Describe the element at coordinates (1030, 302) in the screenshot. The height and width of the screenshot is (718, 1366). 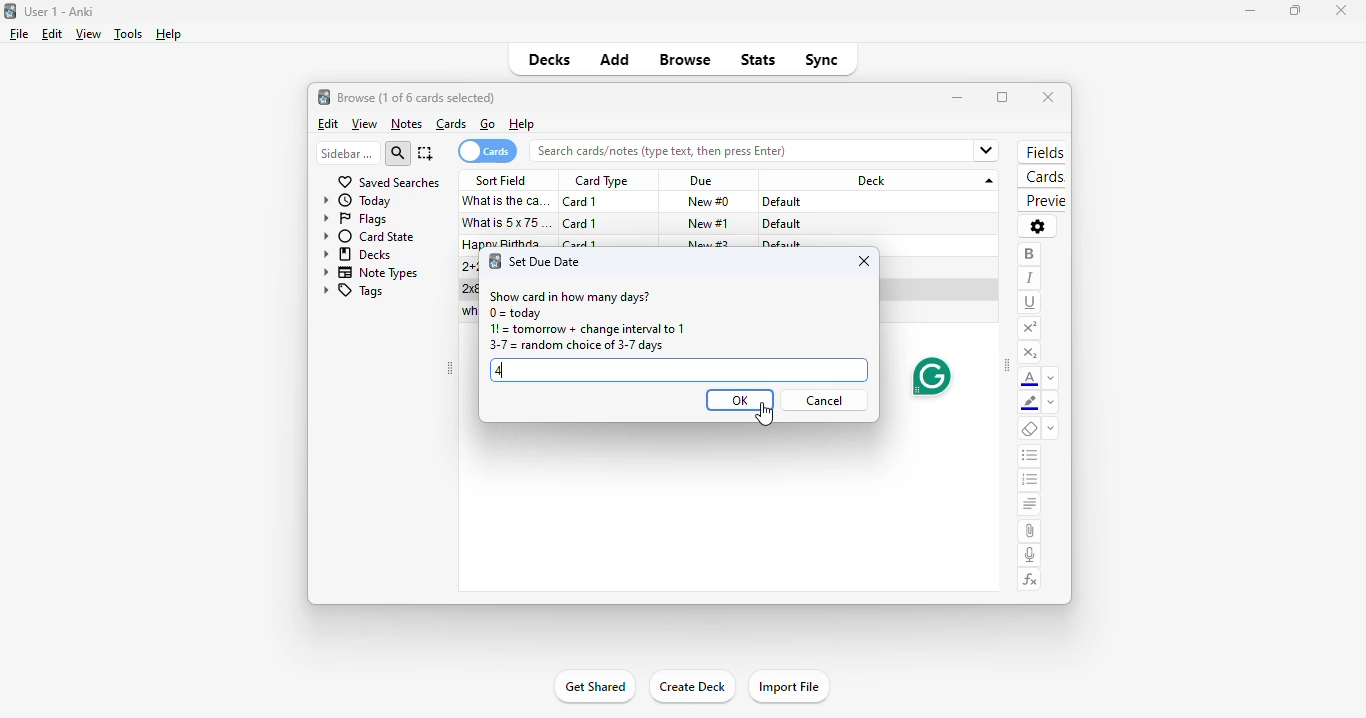
I see `underline` at that location.